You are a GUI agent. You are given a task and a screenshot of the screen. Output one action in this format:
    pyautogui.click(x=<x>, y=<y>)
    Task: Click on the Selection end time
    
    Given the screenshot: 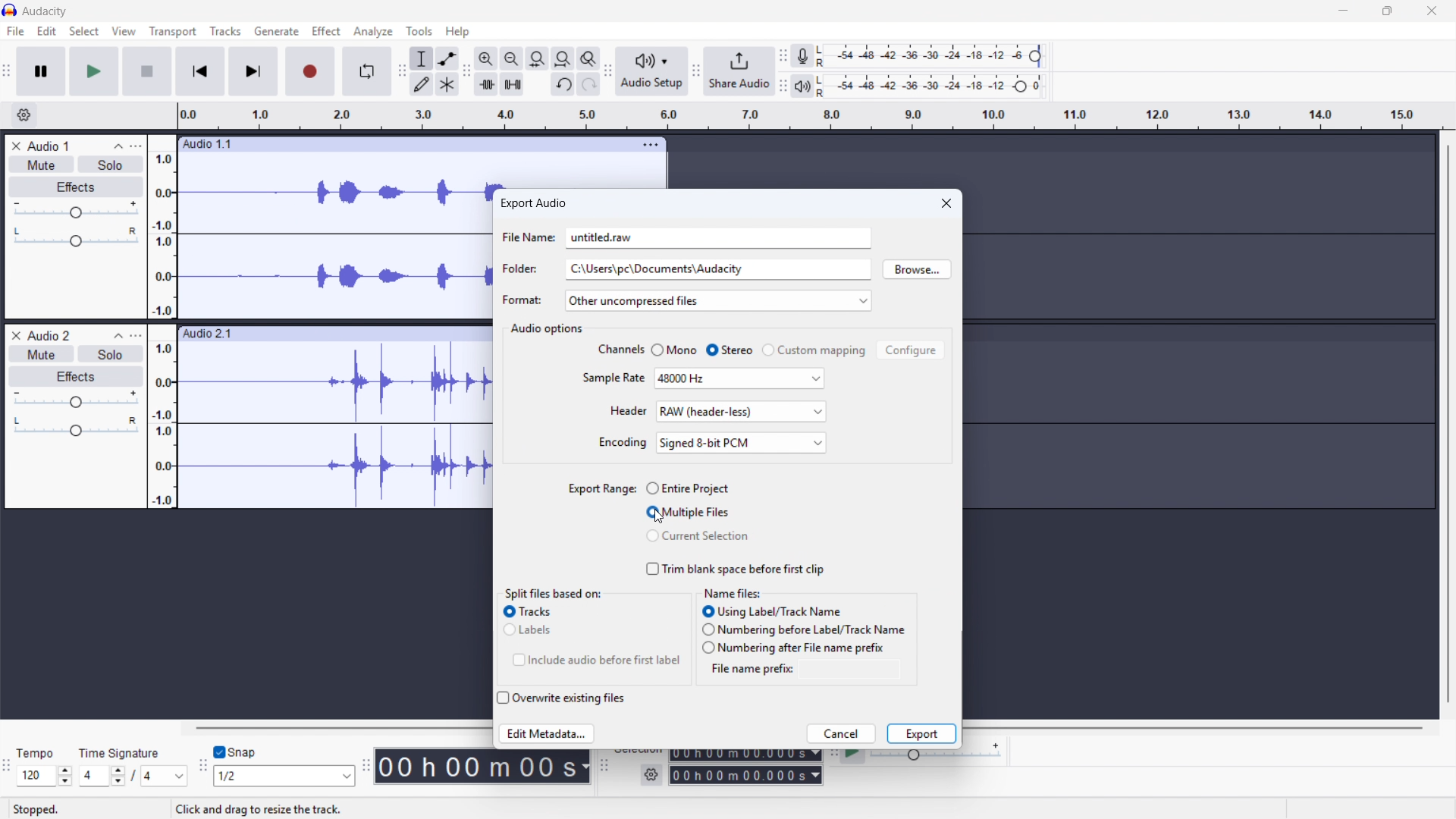 What is the action you would take?
    pyautogui.click(x=746, y=776)
    